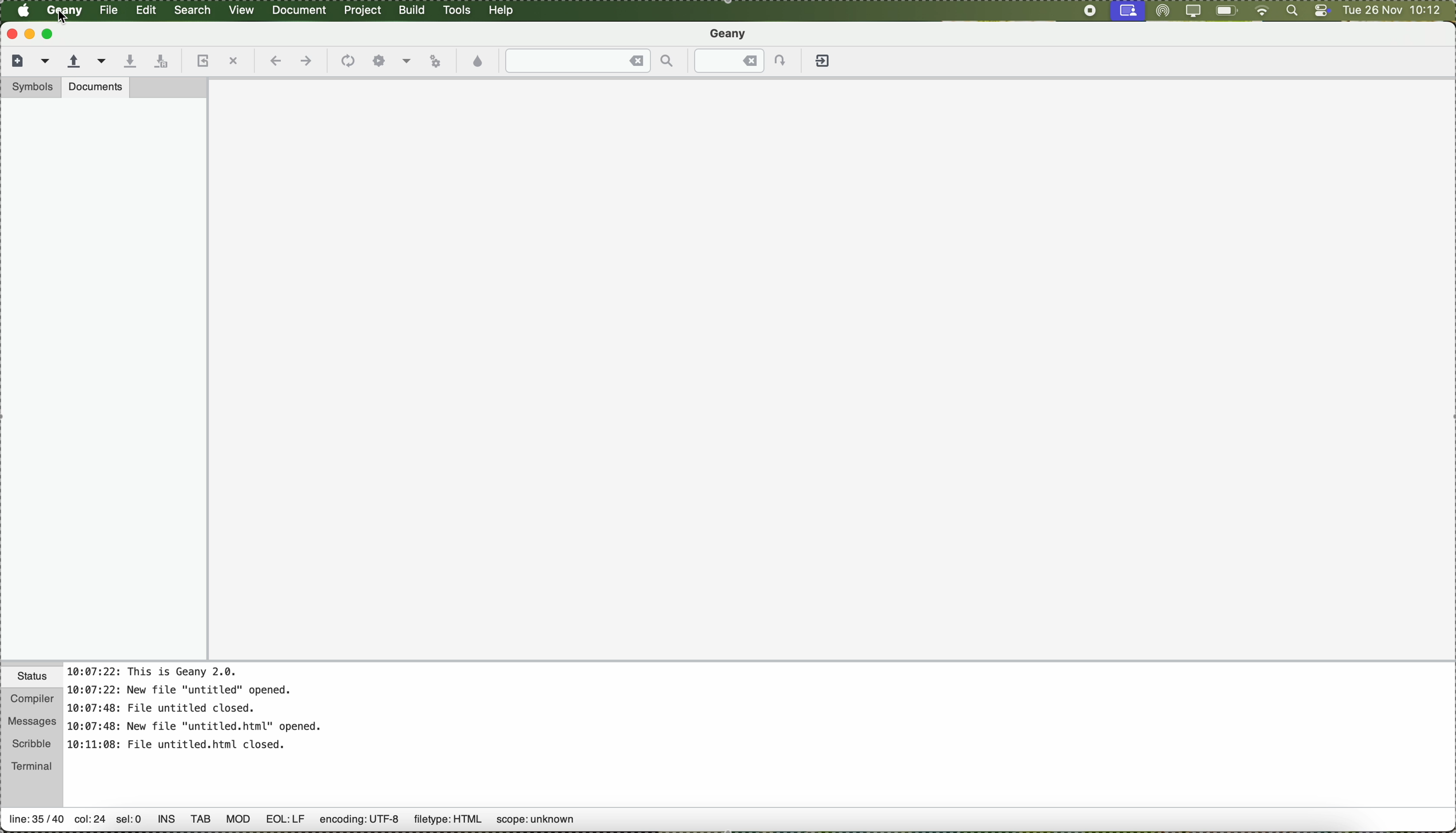  Describe the element at coordinates (538, 823) in the screenshot. I see `scope: unknown` at that location.